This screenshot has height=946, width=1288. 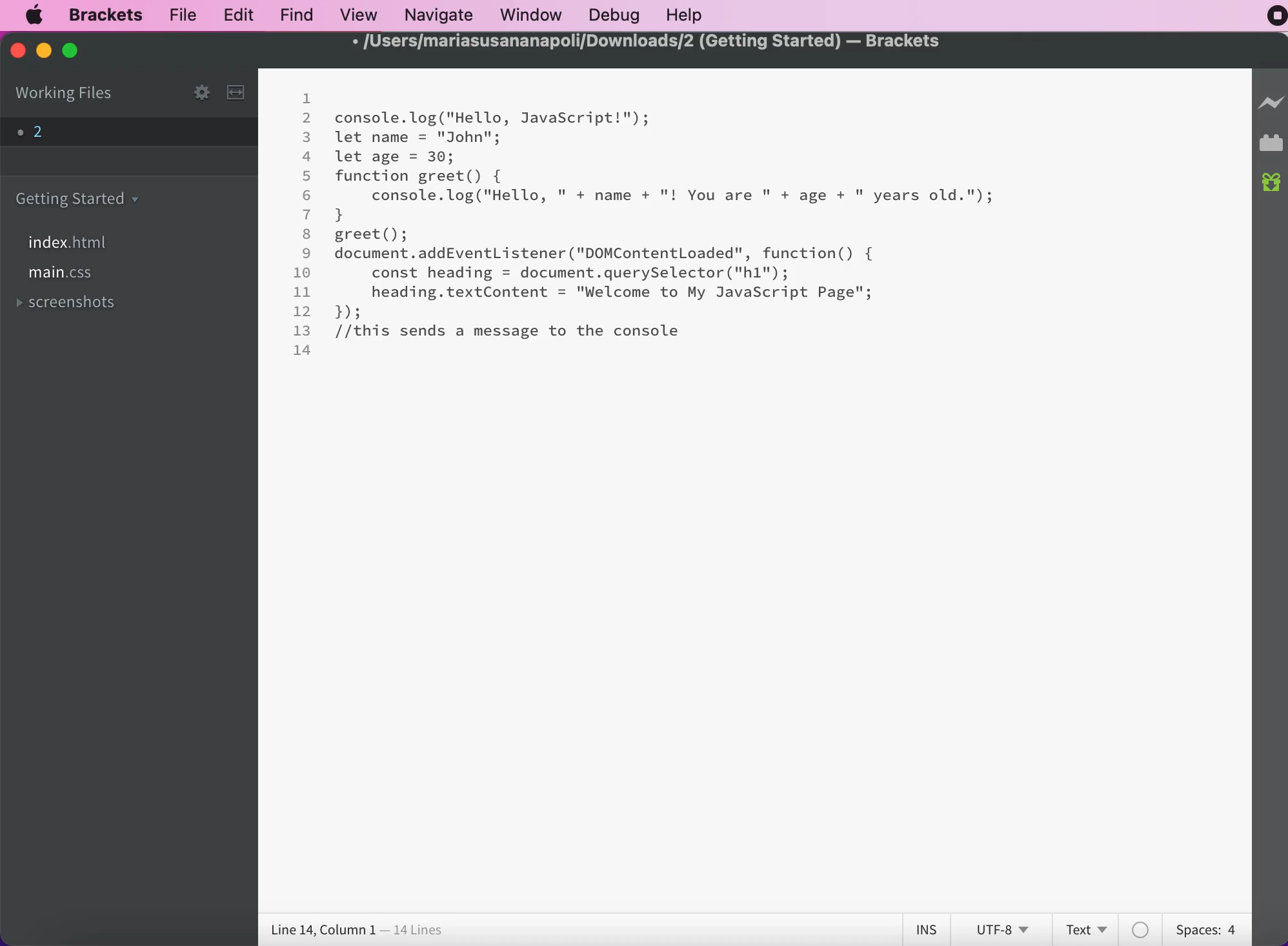 What do you see at coordinates (307, 176) in the screenshot?
I see `5` at bounding box center [307, 176].